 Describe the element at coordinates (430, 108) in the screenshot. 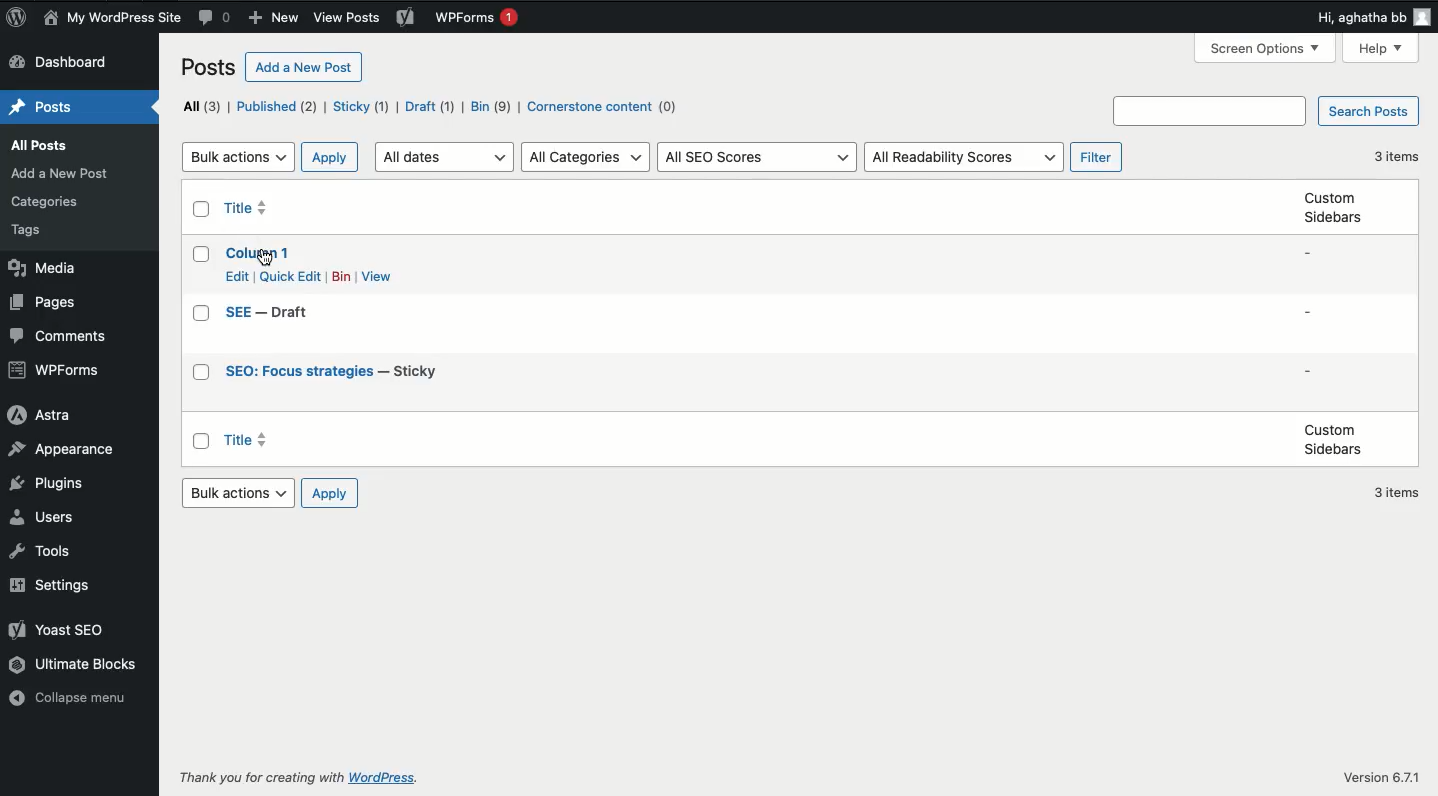

I see `Draft` at that location.